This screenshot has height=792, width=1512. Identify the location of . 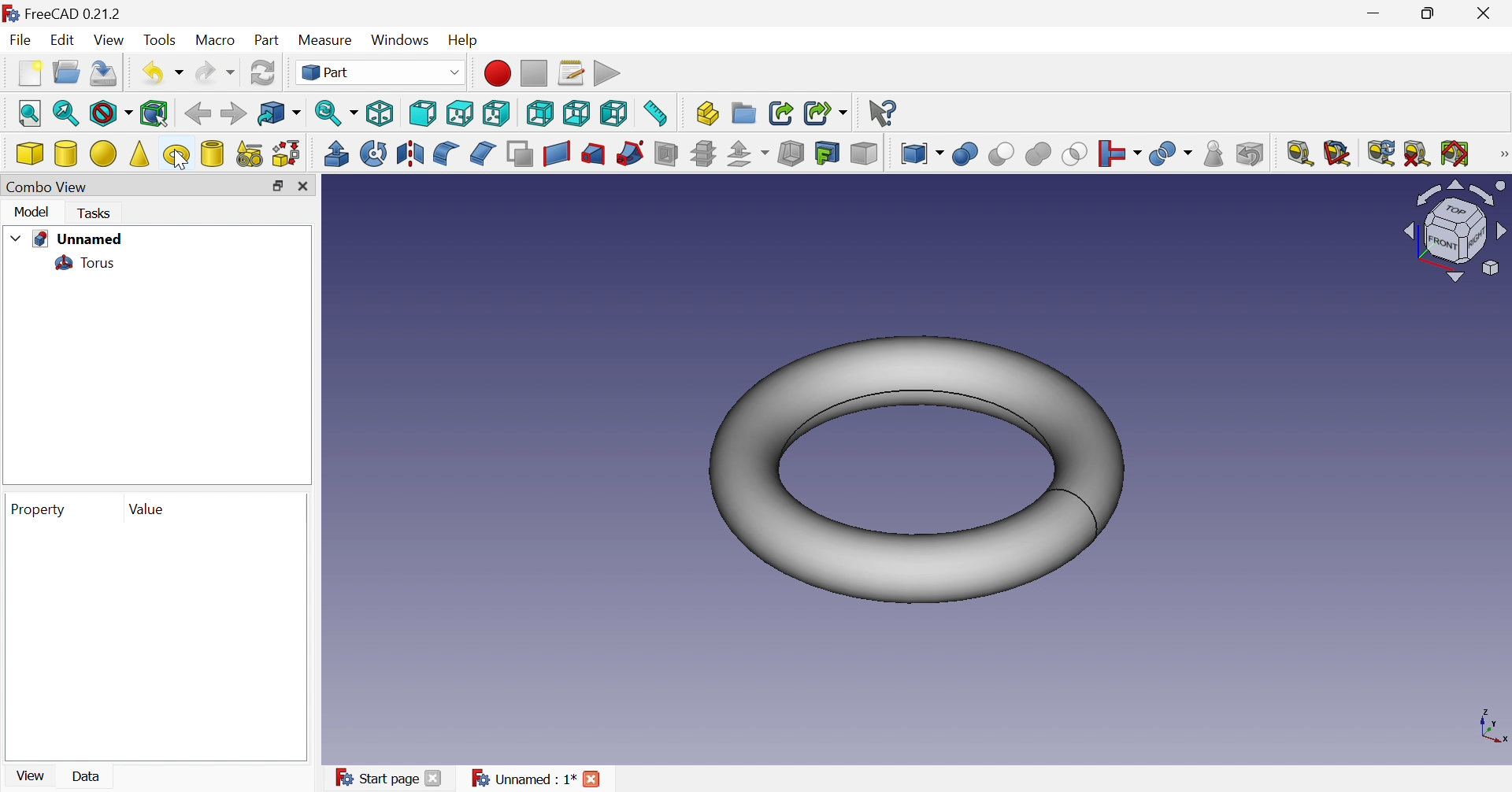
(29, 72).